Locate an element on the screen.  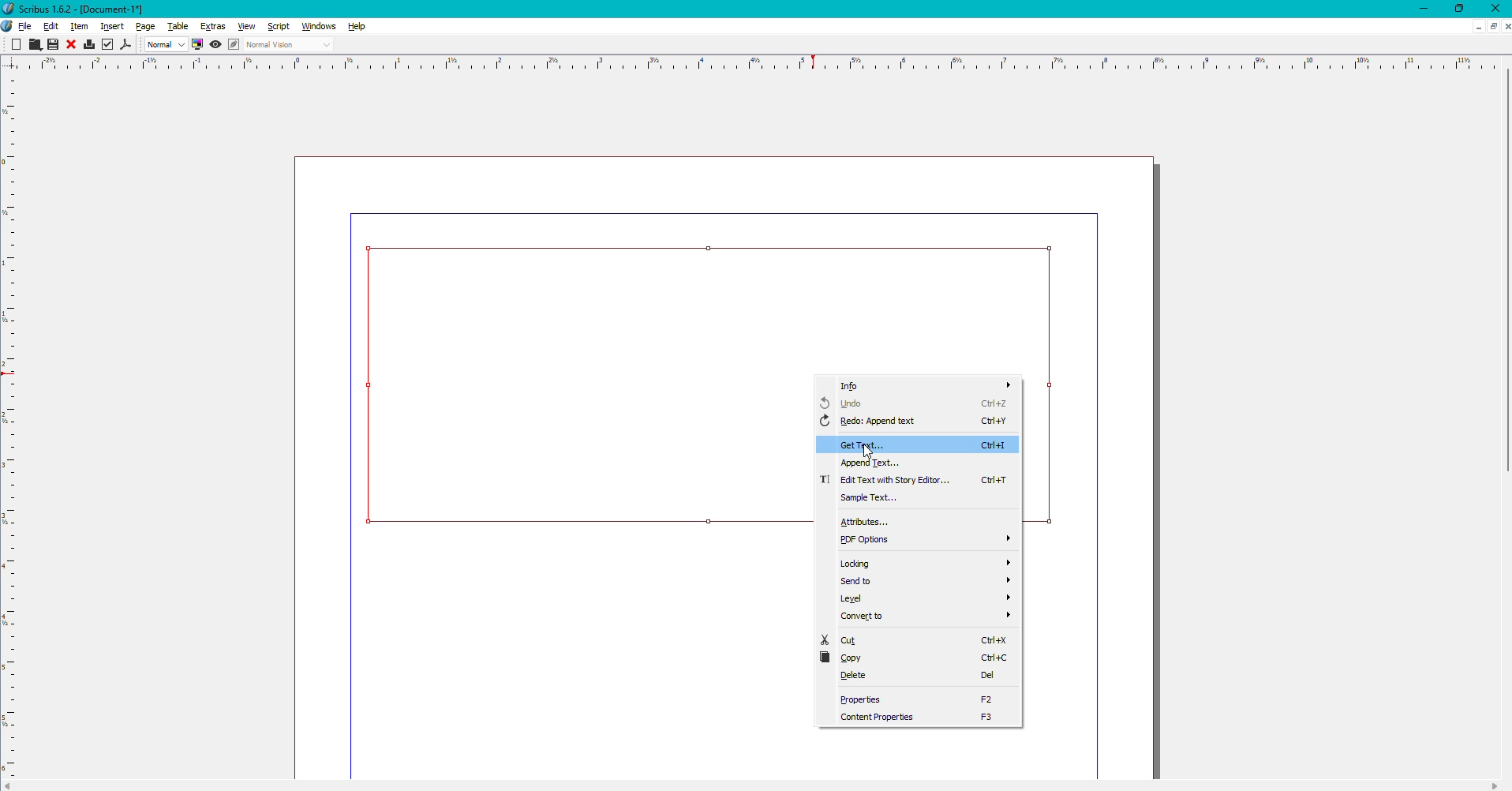
Normal is located at coordinates (164, 45).